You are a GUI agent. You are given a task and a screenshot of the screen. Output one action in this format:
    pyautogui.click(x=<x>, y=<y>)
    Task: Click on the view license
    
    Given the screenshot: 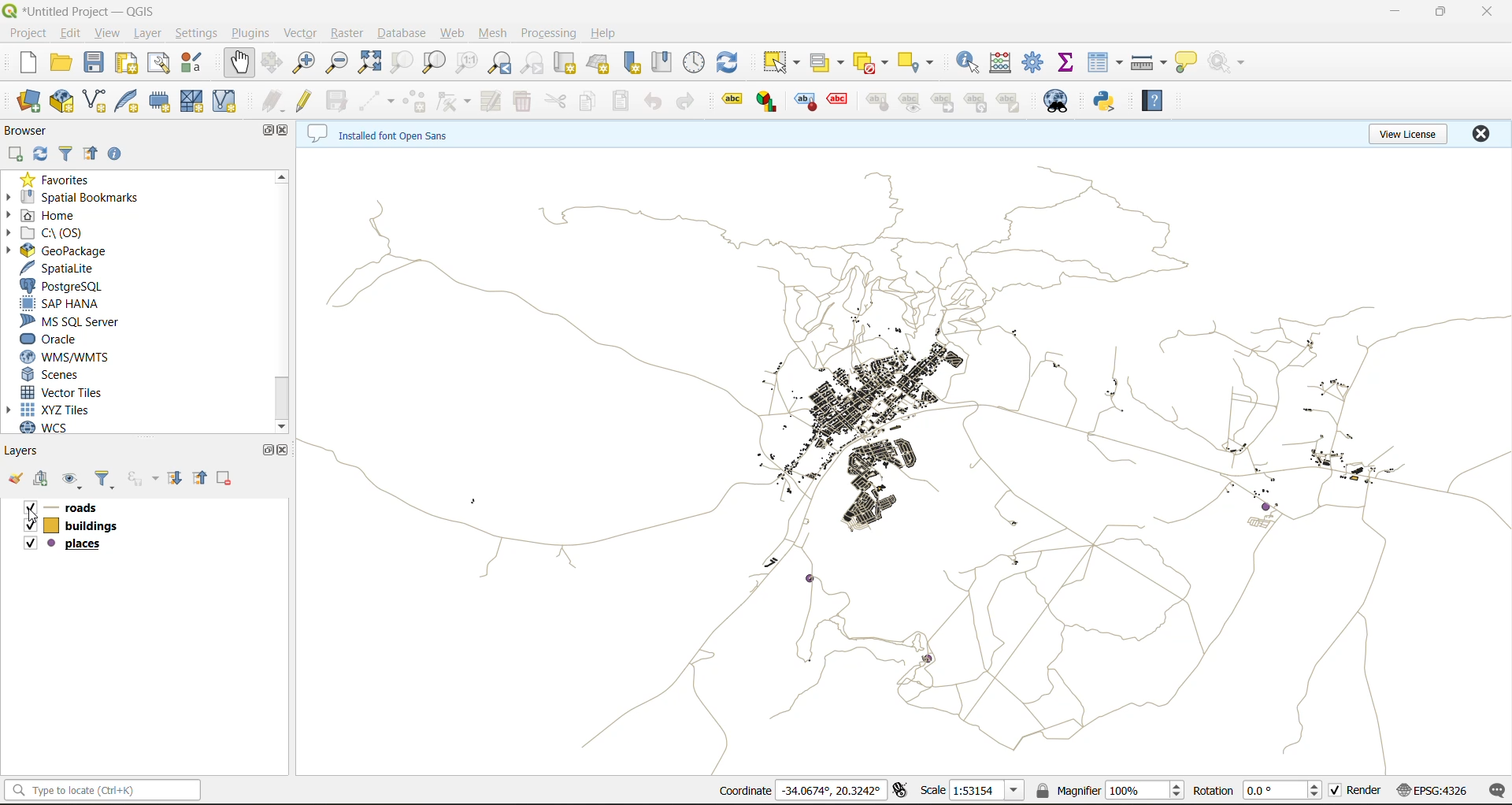 What is the action you would take?
    pyautogui.click(x=1404, y=137)
    